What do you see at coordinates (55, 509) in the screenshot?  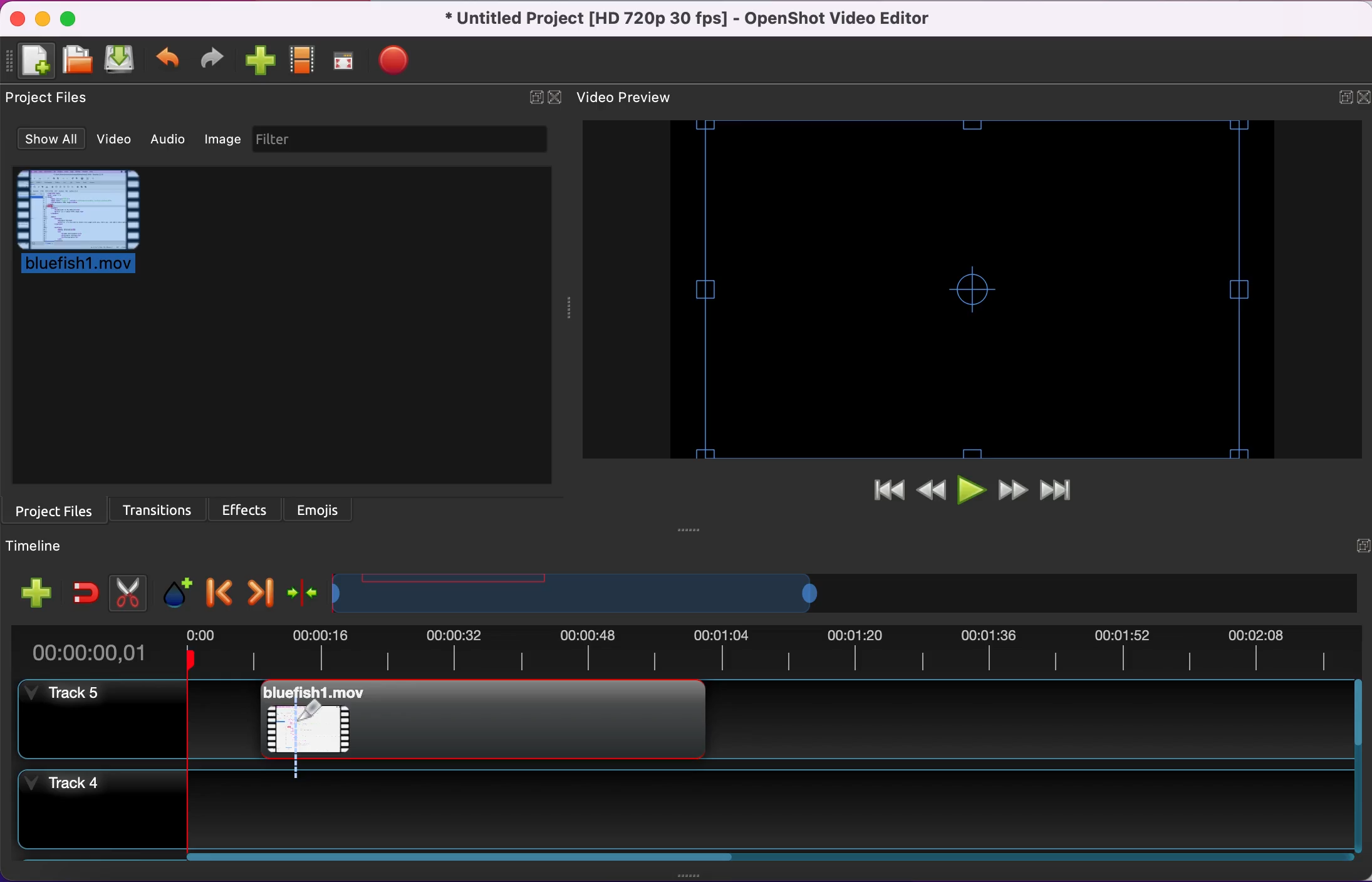 I see `project files` at bounding box center [55, 509].